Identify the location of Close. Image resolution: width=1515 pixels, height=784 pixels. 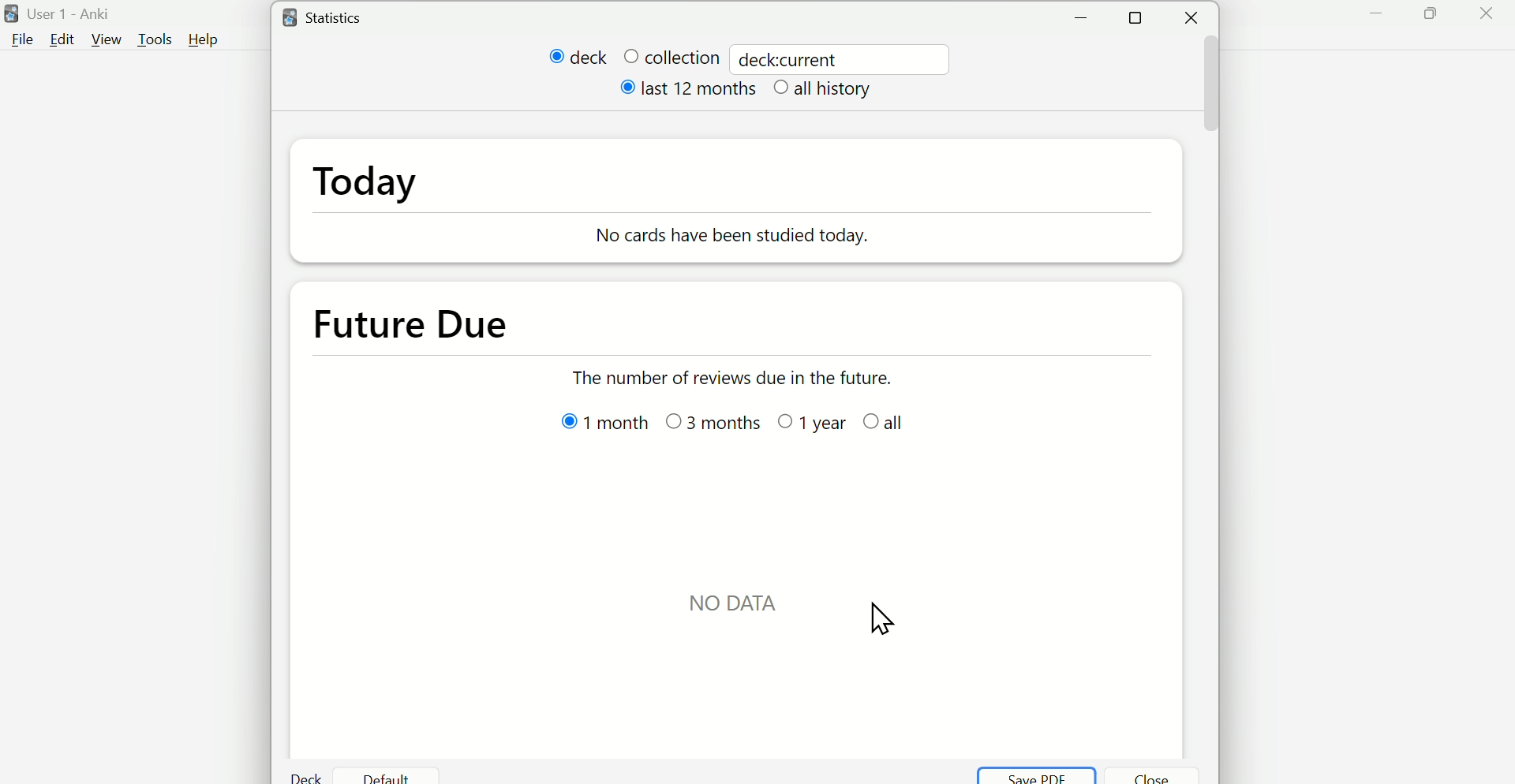
(1181, 20).